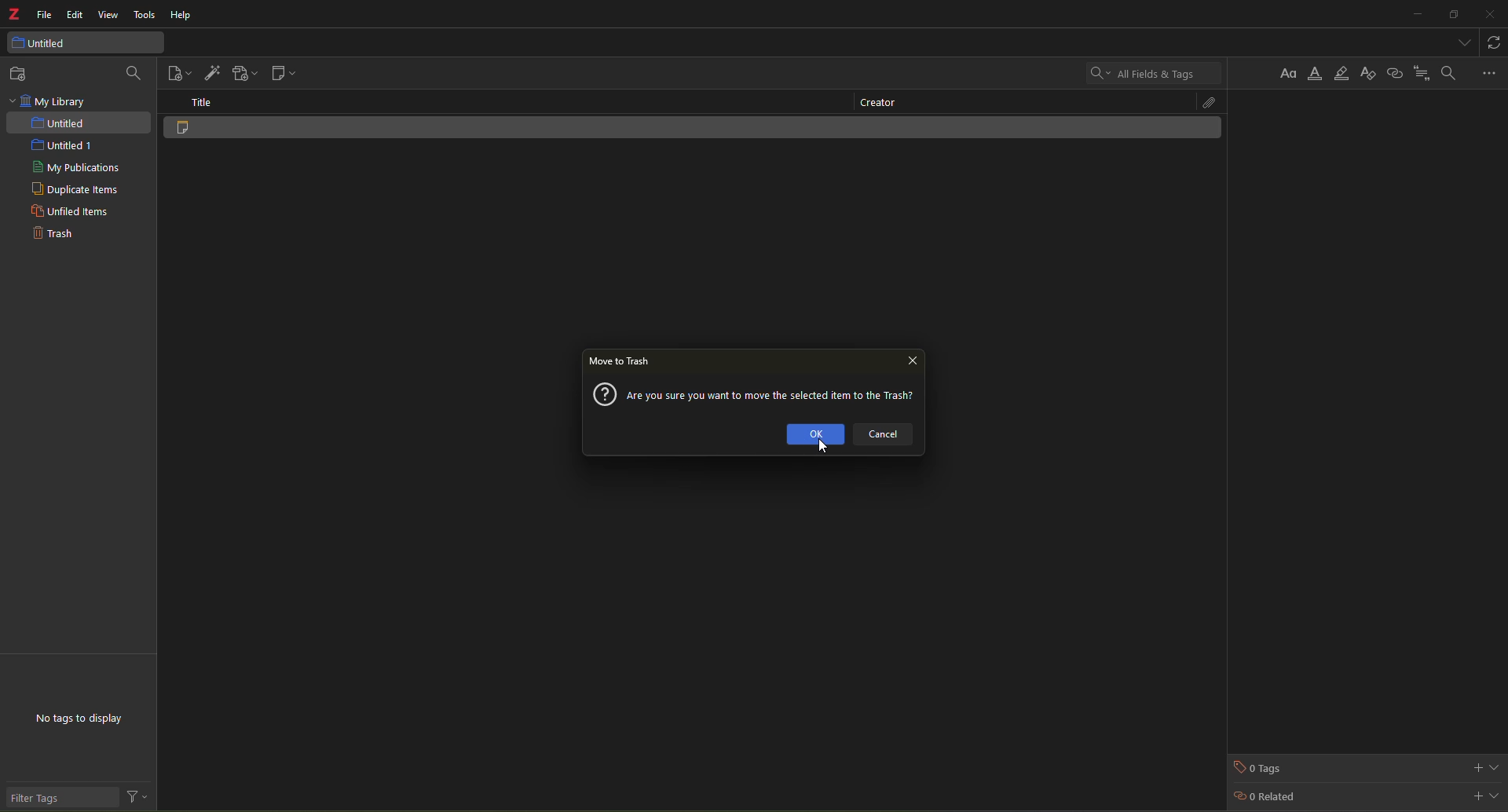 This screenshot has width=1508, height=812. What do you see at coordinates (287, 74) in the screenshot?
I see `new note` at bounding box center [287, 74].